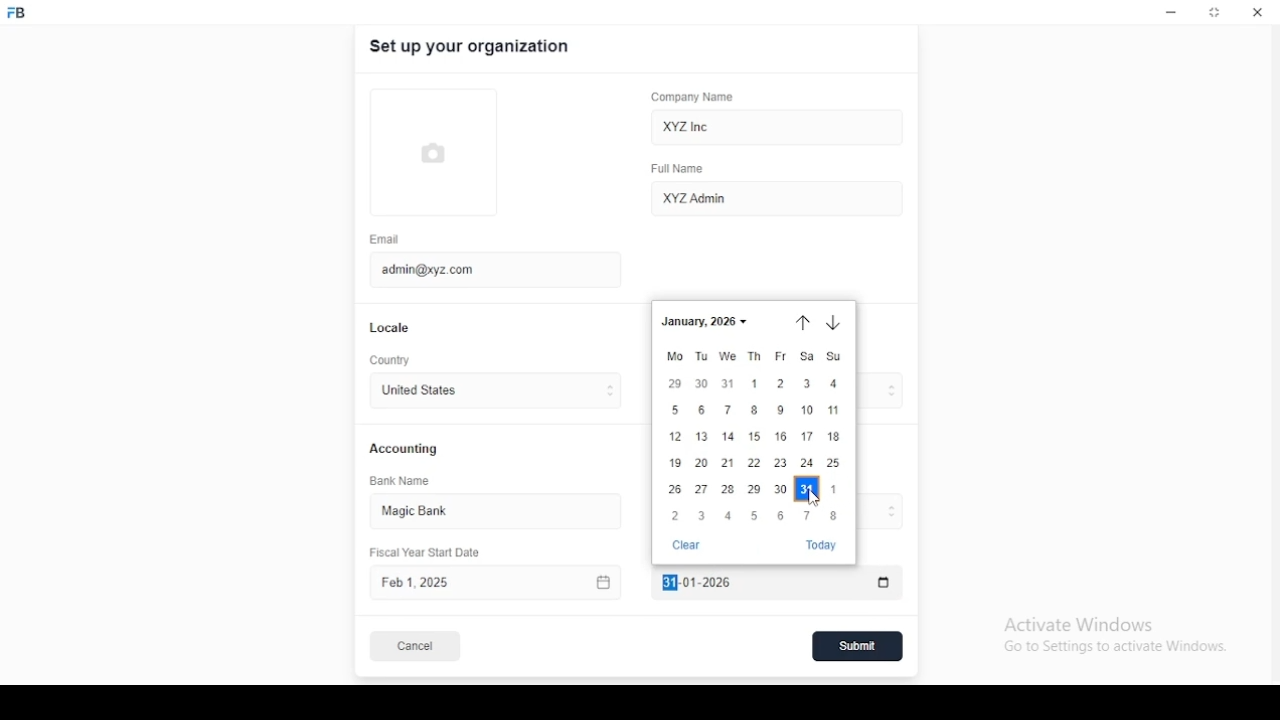  What do you see at coordinates (692, 97) in the screenshot?
I see `company name` at bounding box center [692, 97].